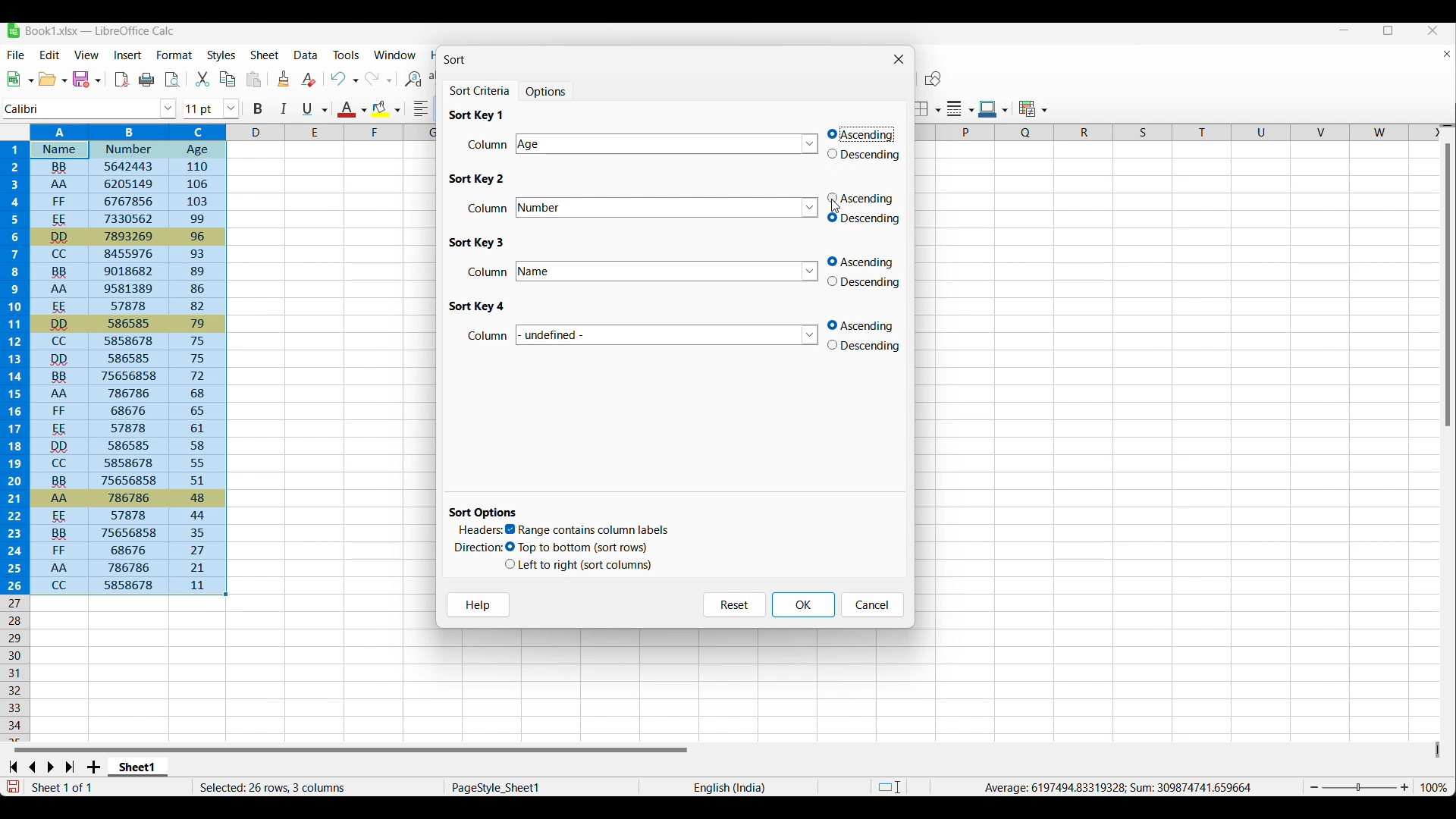  What do you see at coordinates (221, 55) in the screenshot?
I see `Styles menu` at bounding box center [221, 55].